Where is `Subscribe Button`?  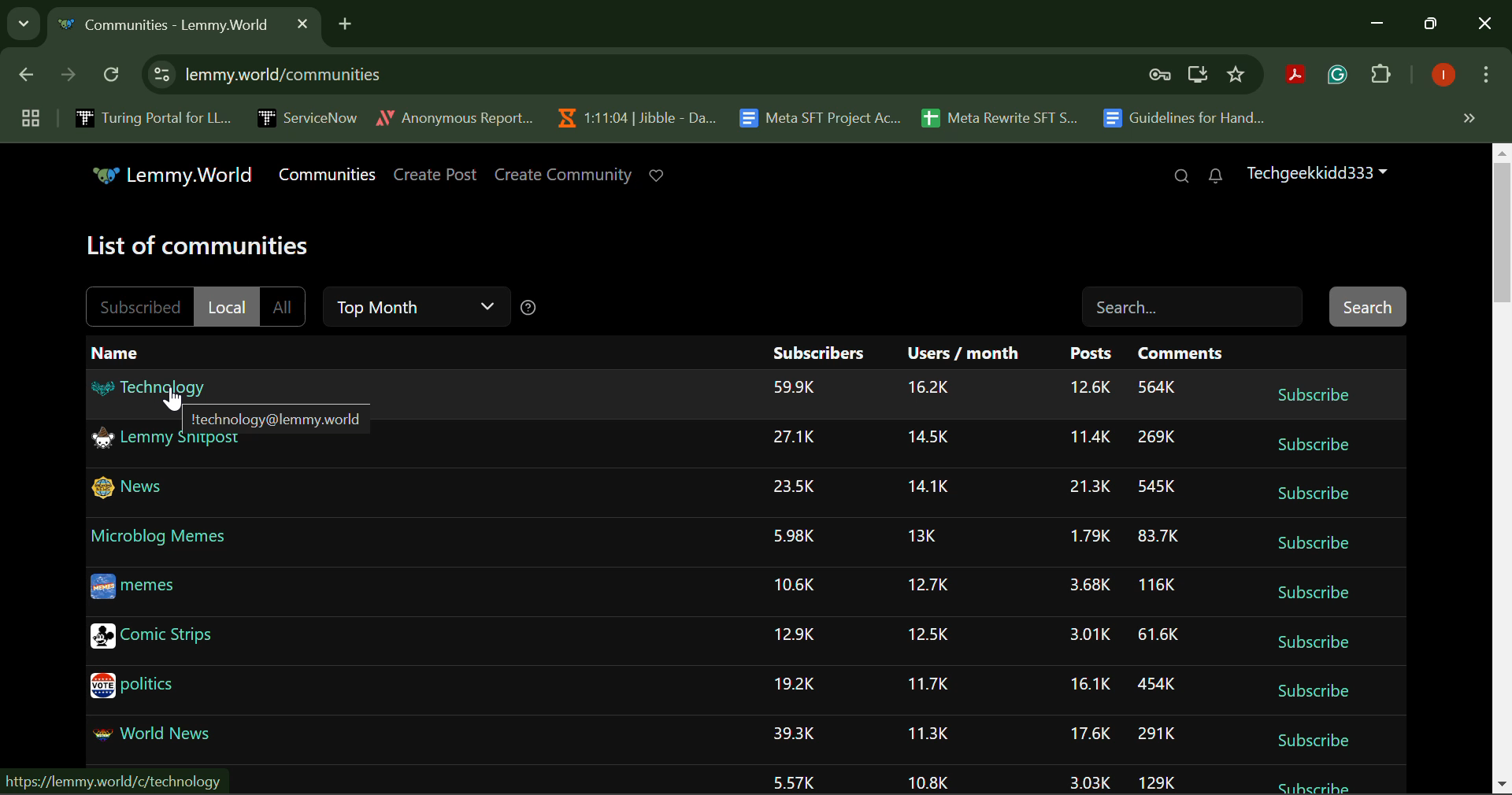
Subscribe Button is located at coordinates (1312, 445).